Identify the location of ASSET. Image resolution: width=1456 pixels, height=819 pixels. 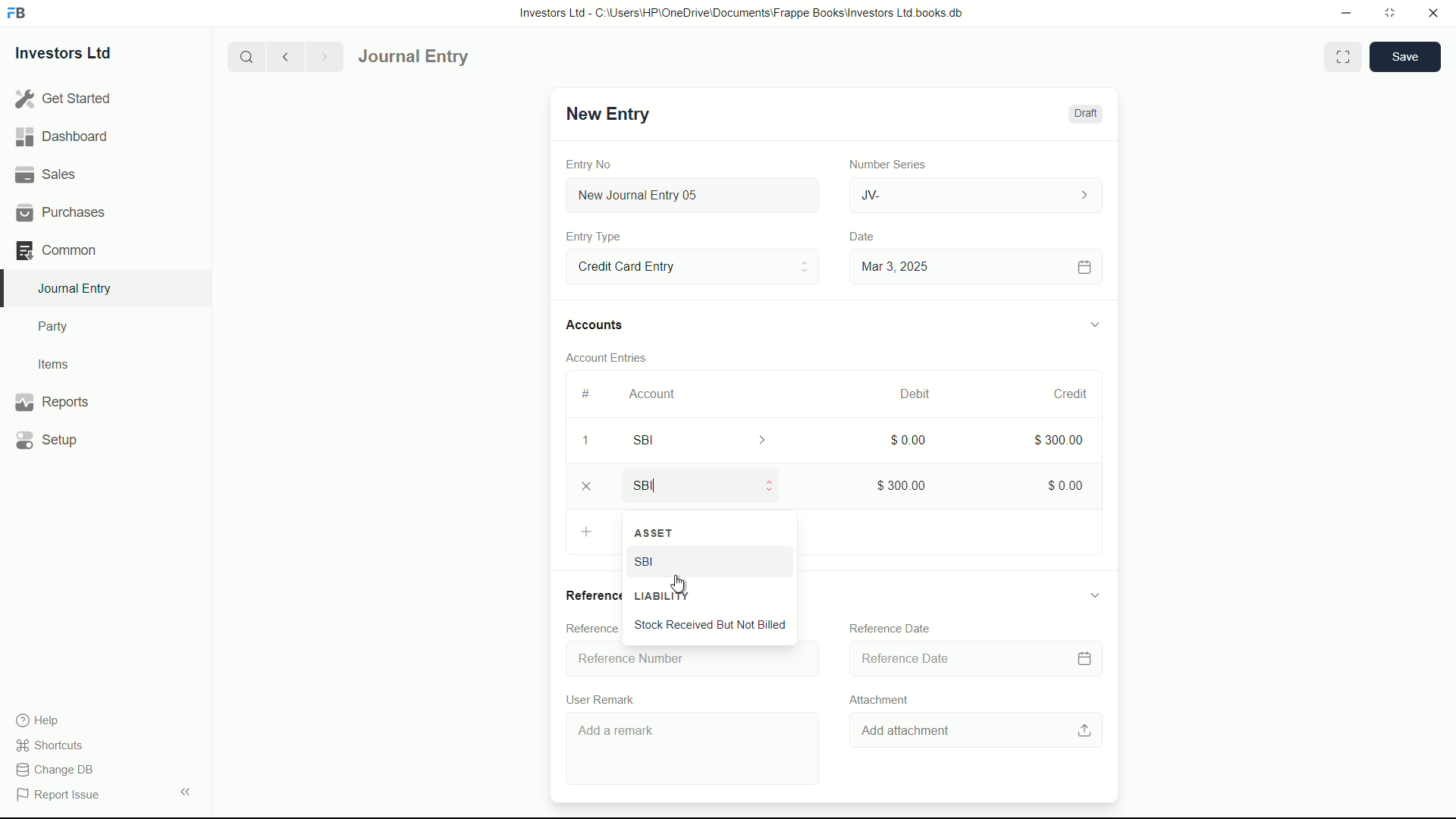
(698, 534).